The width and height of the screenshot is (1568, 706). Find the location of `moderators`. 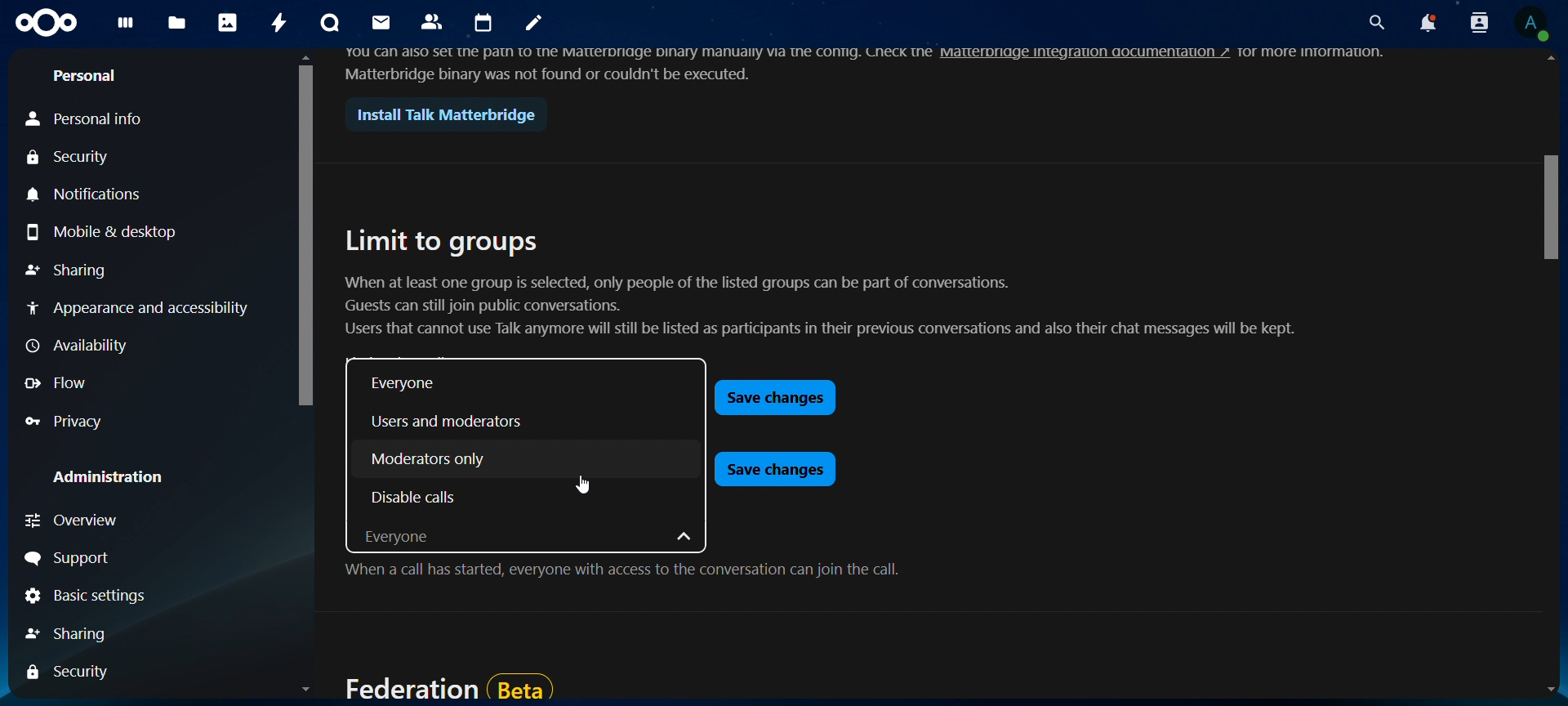

moderators is located at coordinates (427, 459).